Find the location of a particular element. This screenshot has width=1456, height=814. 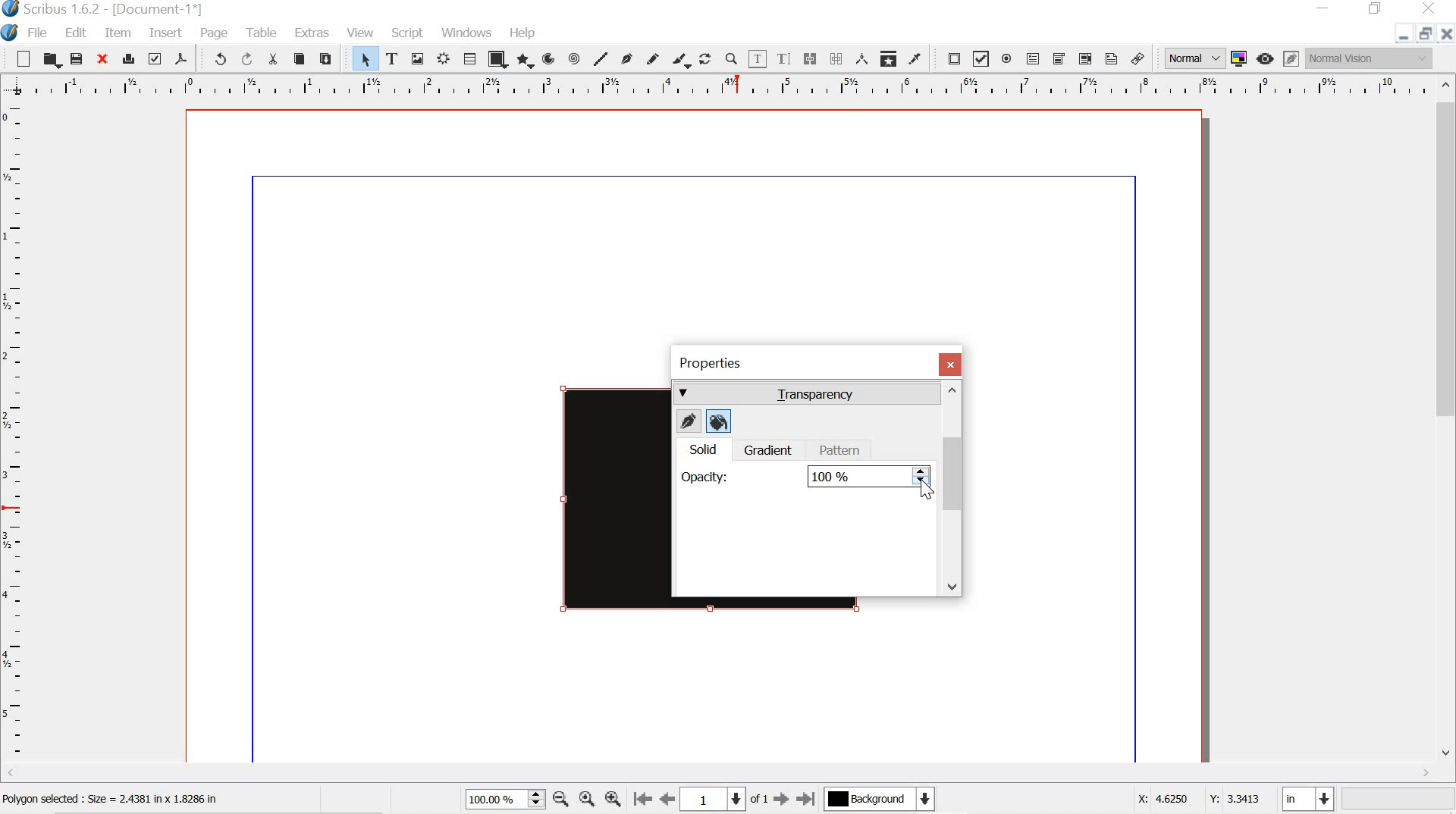

link text frame is located at coordinates (810, 60).